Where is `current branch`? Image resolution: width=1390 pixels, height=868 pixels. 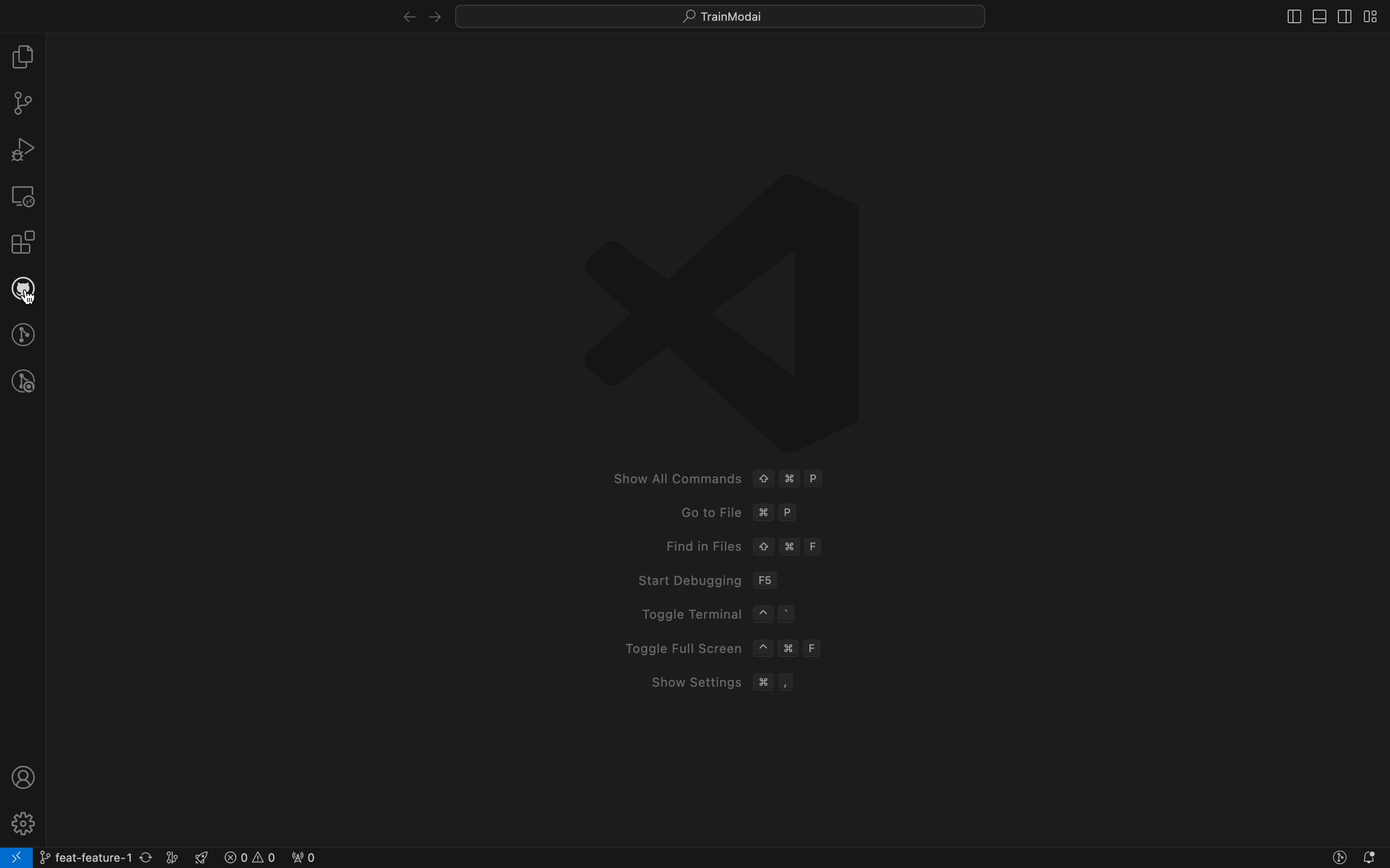
current branch is located at coordinates (110, 855).